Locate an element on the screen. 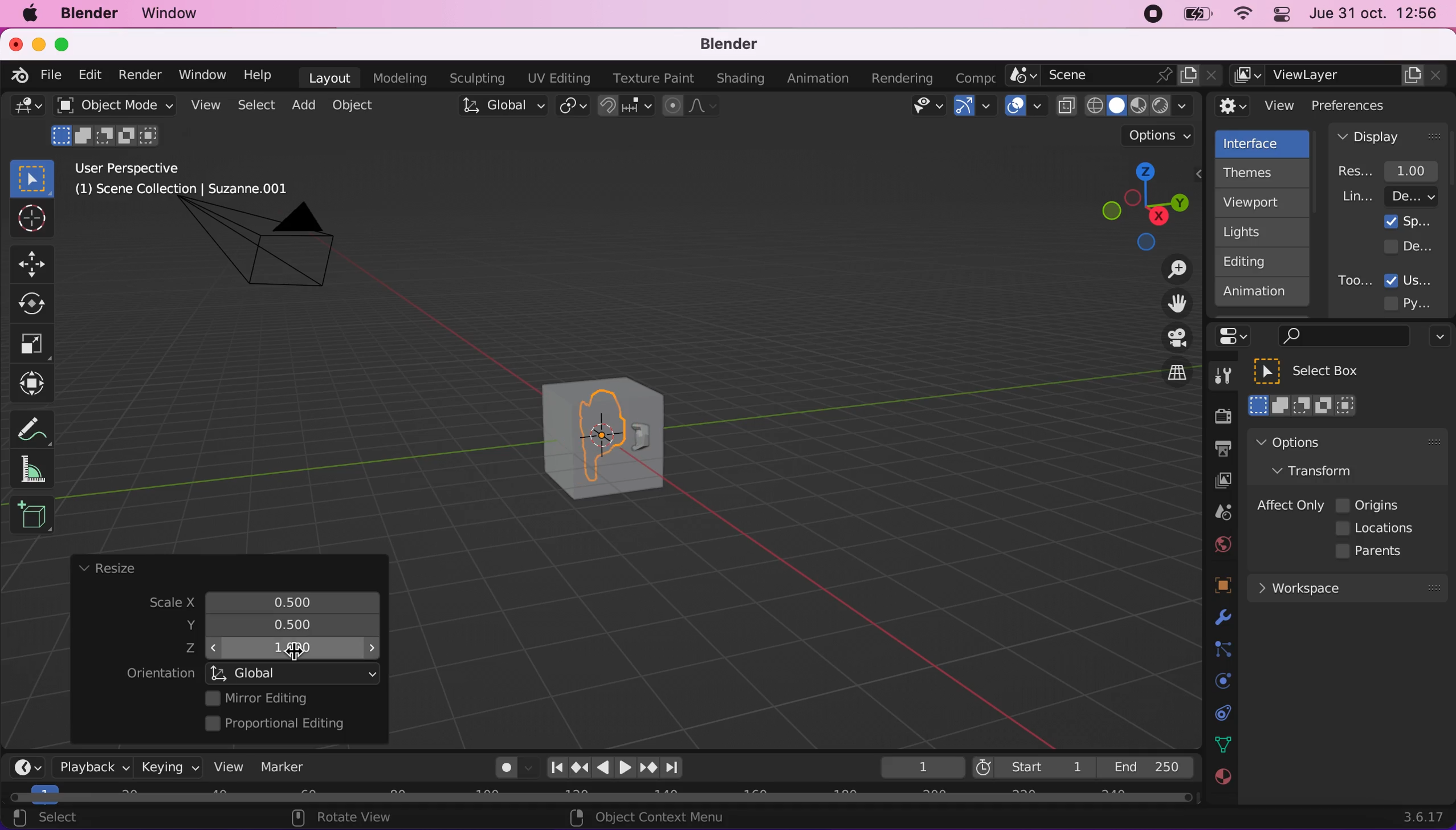 This screenshot has width=1456, height=830. start 1 is located at coordinates (1032, 767).